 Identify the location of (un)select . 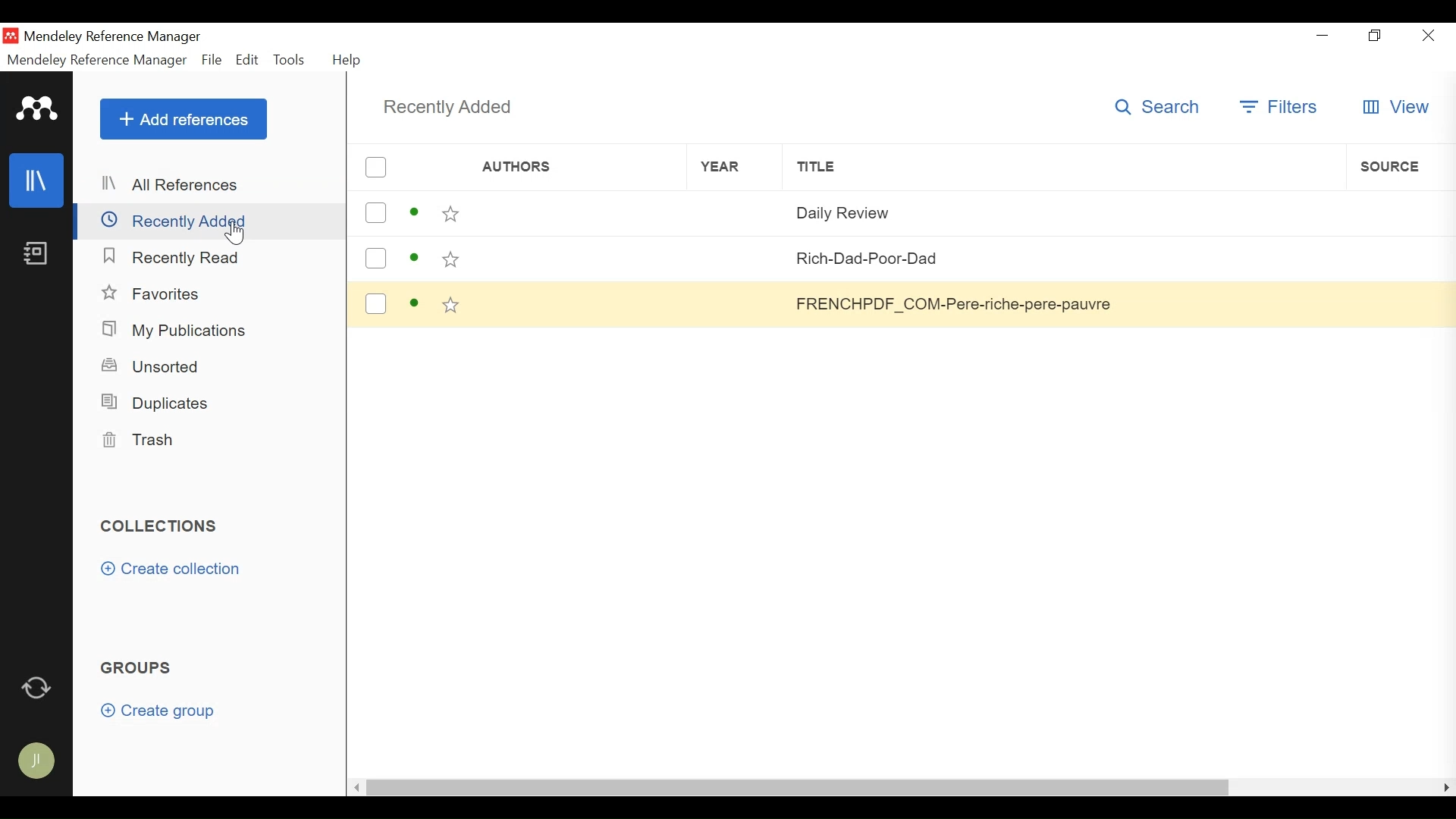
(375, 212).